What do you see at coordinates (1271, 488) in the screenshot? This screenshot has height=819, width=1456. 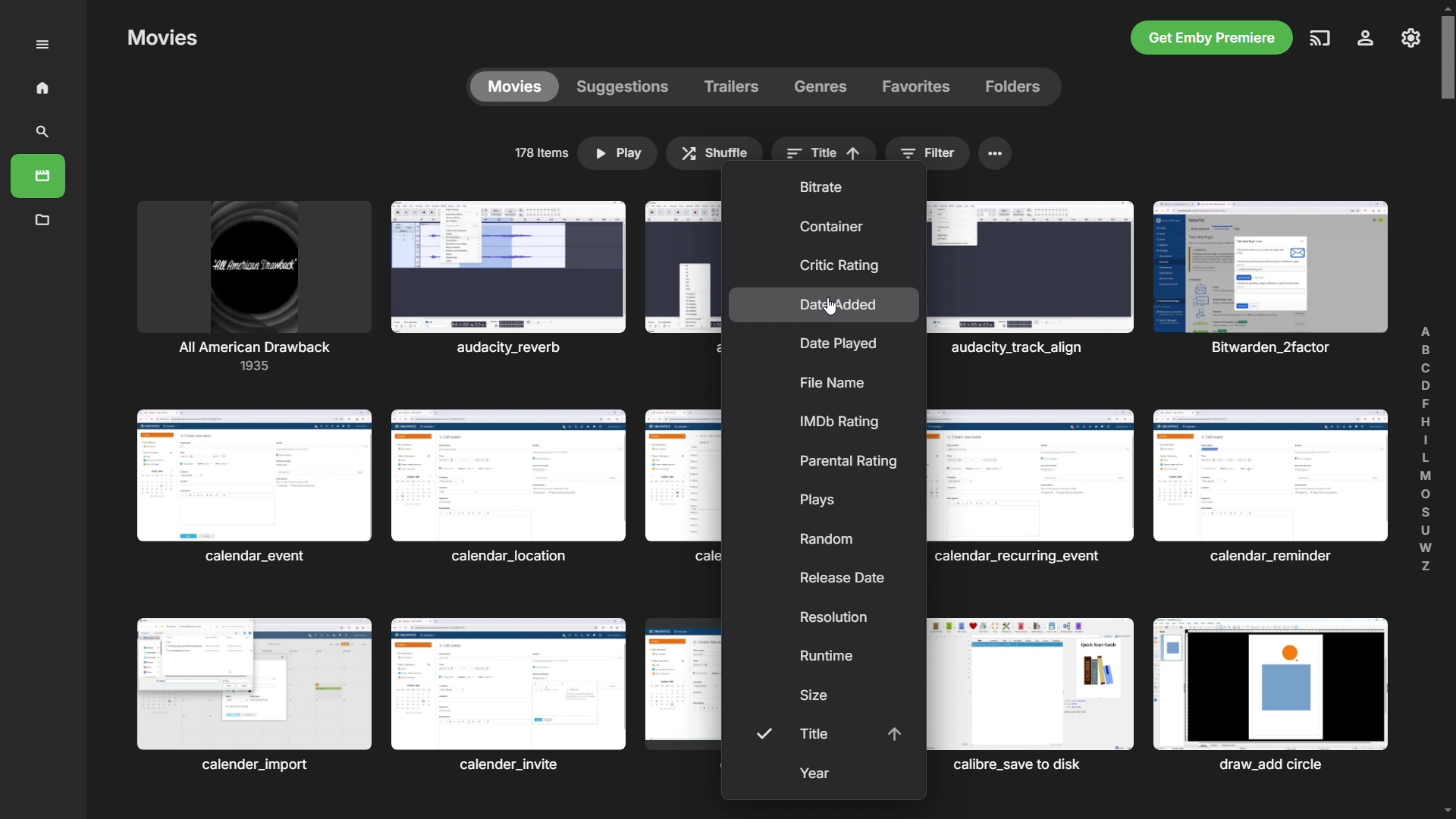 I see `` at bounding box center [1271, 488].